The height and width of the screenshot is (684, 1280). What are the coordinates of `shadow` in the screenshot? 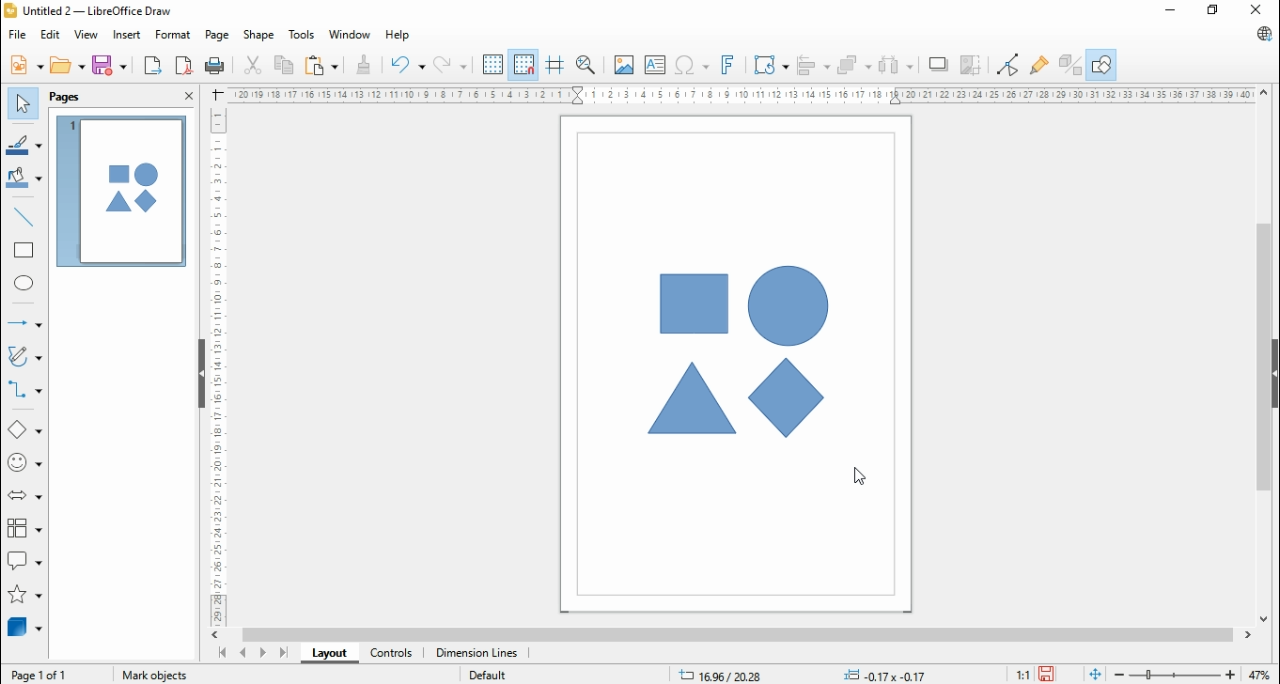 It's located at (936, 64).